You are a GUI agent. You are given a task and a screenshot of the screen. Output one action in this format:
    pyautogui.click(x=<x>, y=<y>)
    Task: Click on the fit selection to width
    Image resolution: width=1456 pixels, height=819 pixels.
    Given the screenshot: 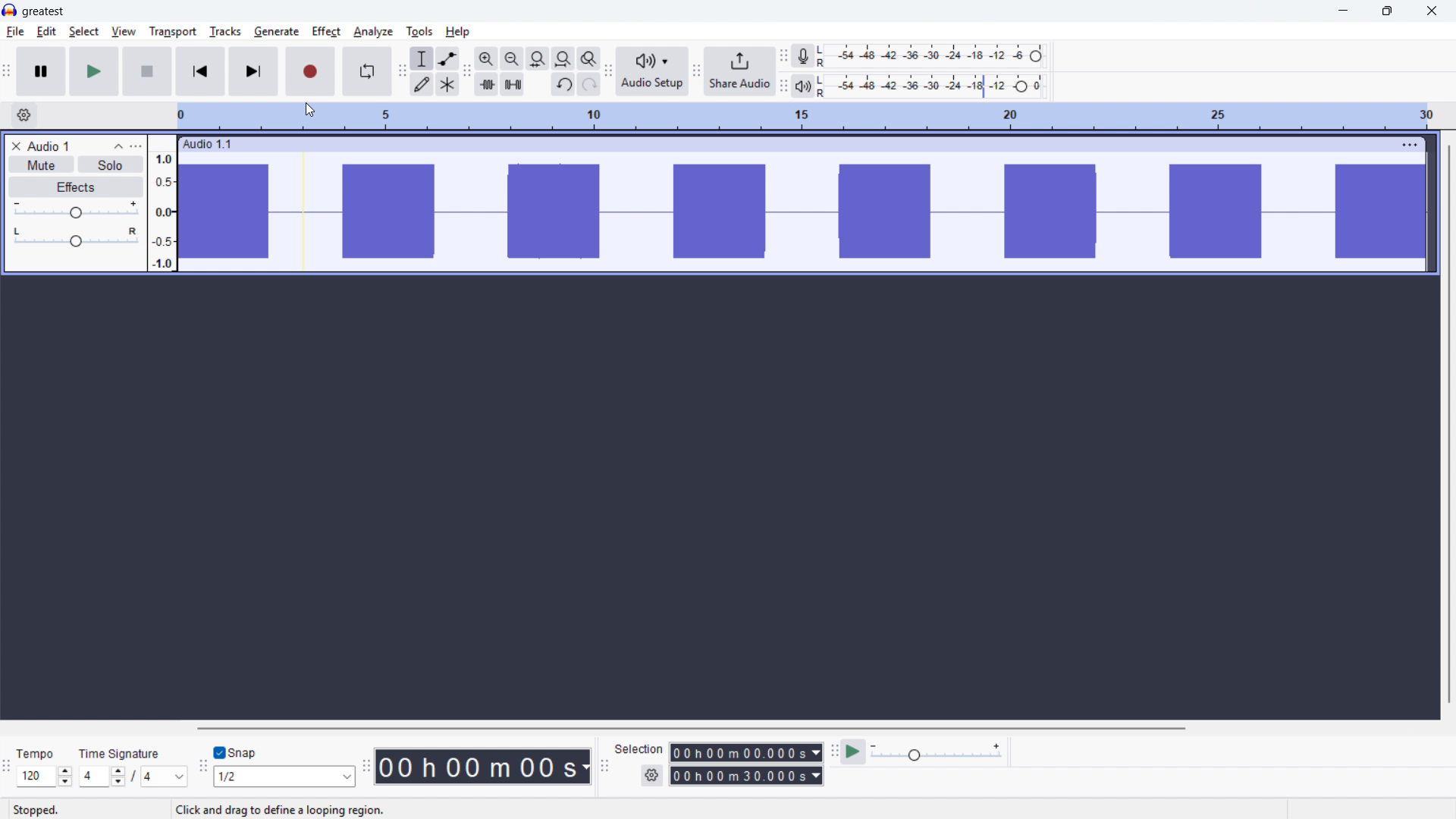 What is the action you would take?
    pyautogui.click(x=538, y=58)
    